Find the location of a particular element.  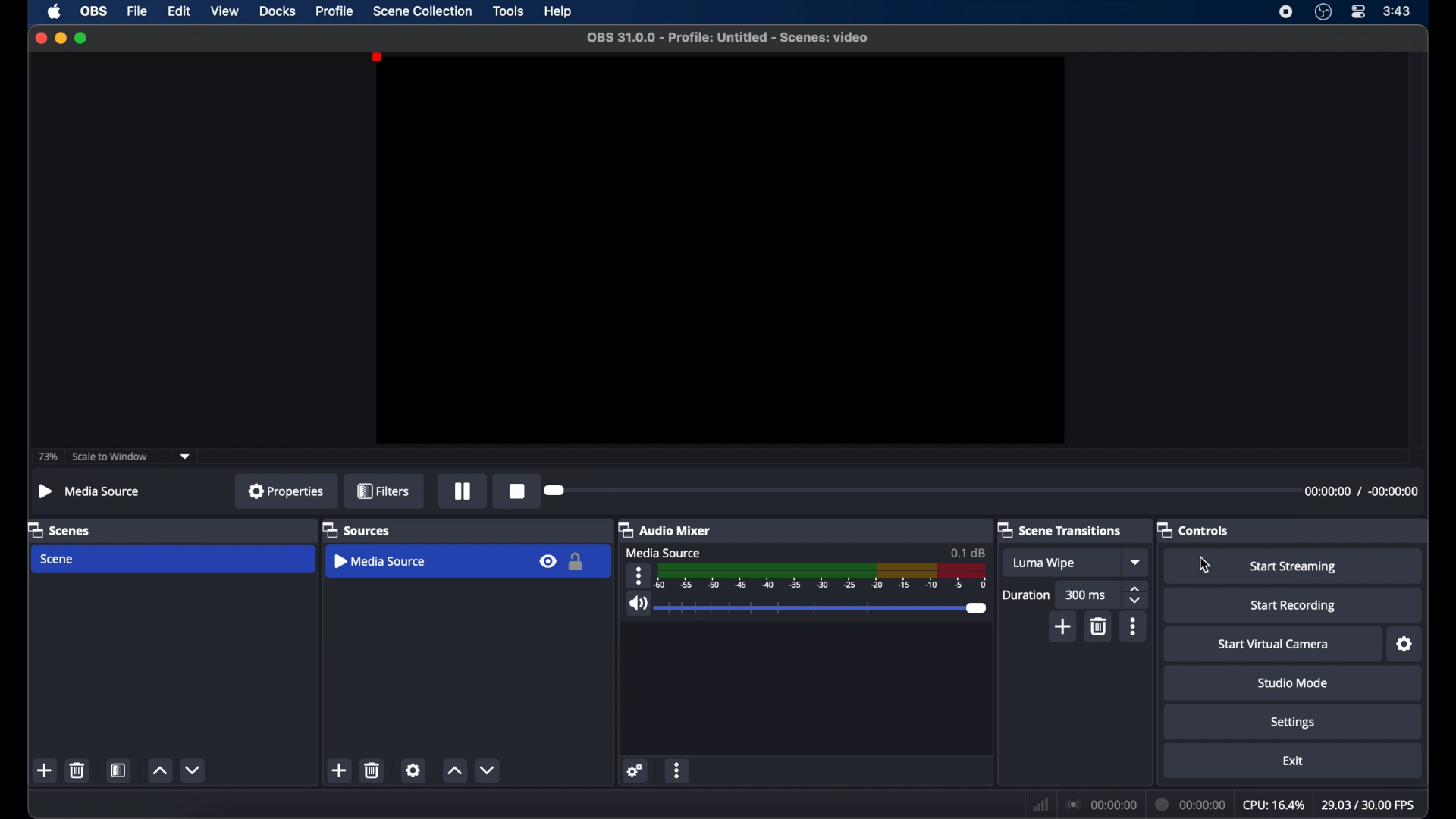

exit is located at coordinates (1295, 761).